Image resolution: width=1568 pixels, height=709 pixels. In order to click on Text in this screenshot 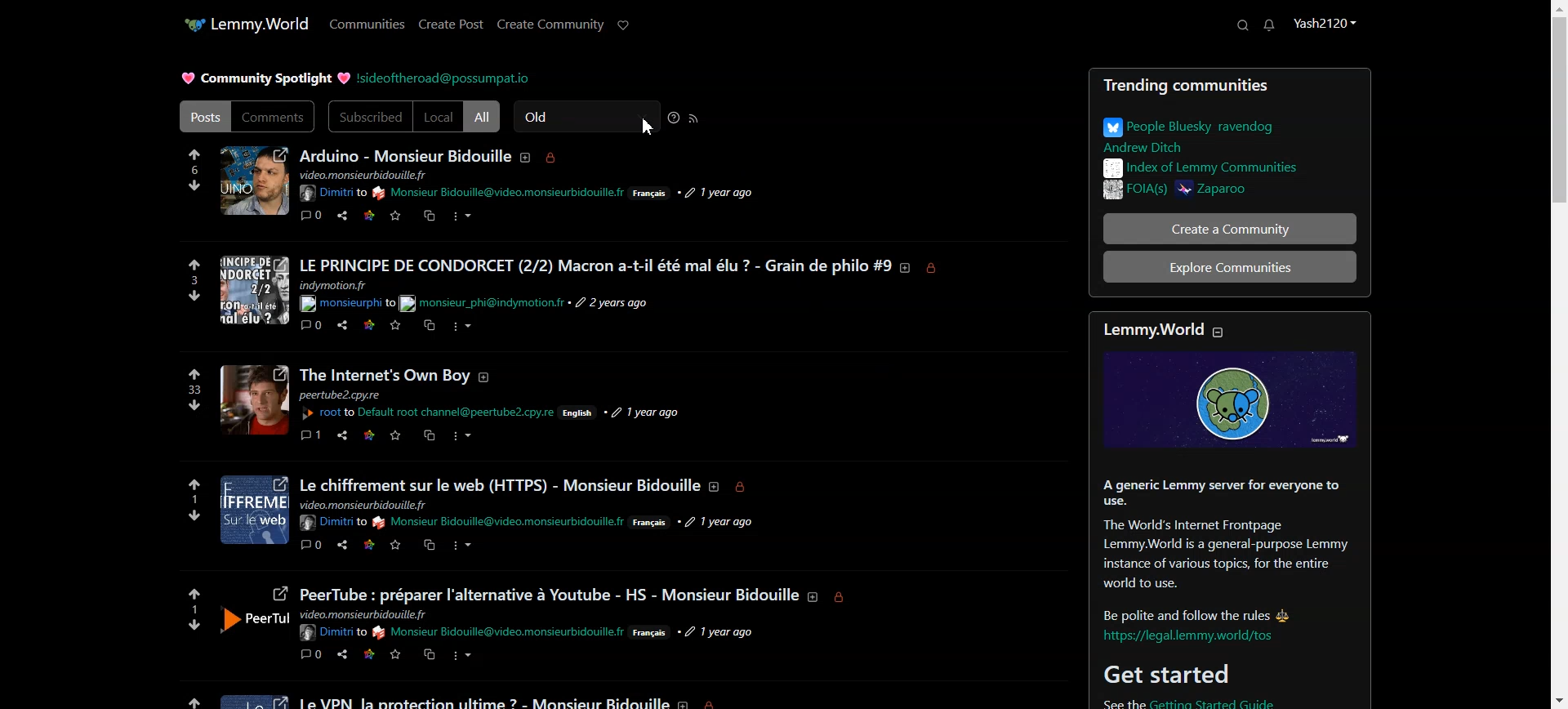, I will do `click(404, 155)`.